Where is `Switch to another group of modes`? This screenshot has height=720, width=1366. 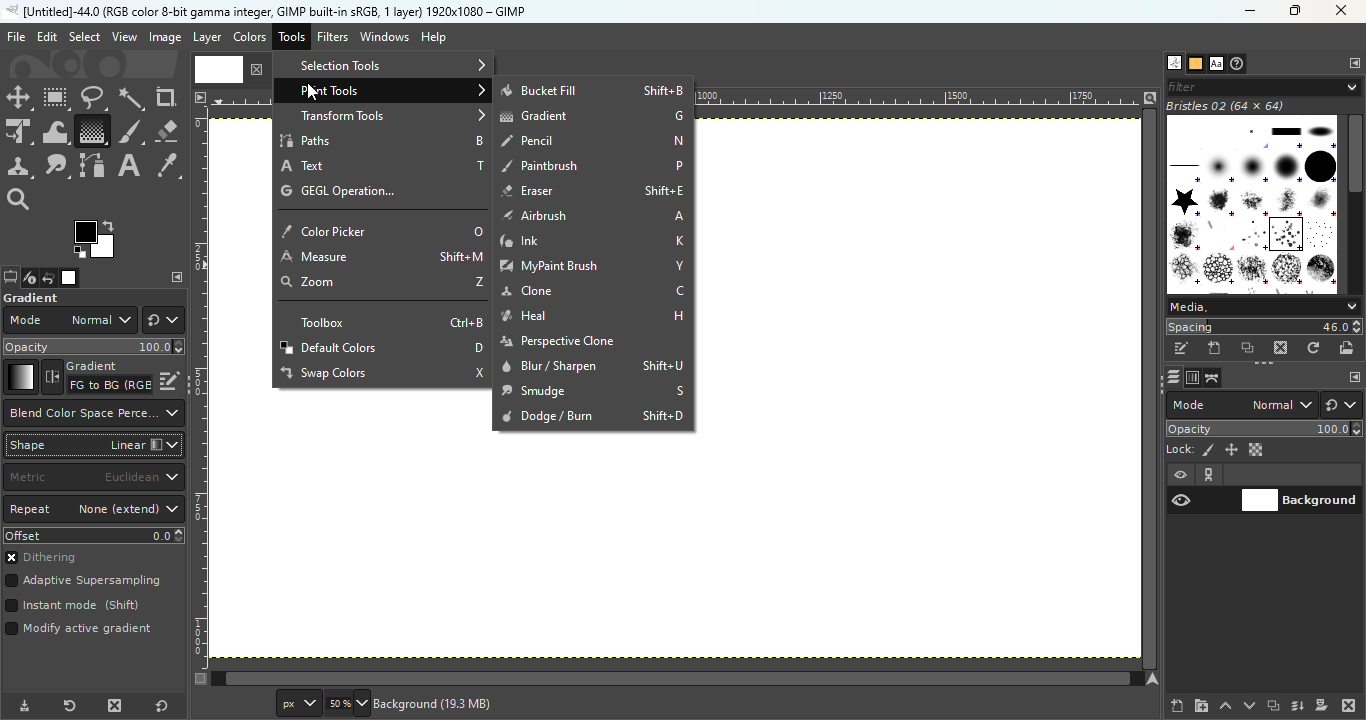 Switch to another group of modes is located at coordinates (1345, 405).